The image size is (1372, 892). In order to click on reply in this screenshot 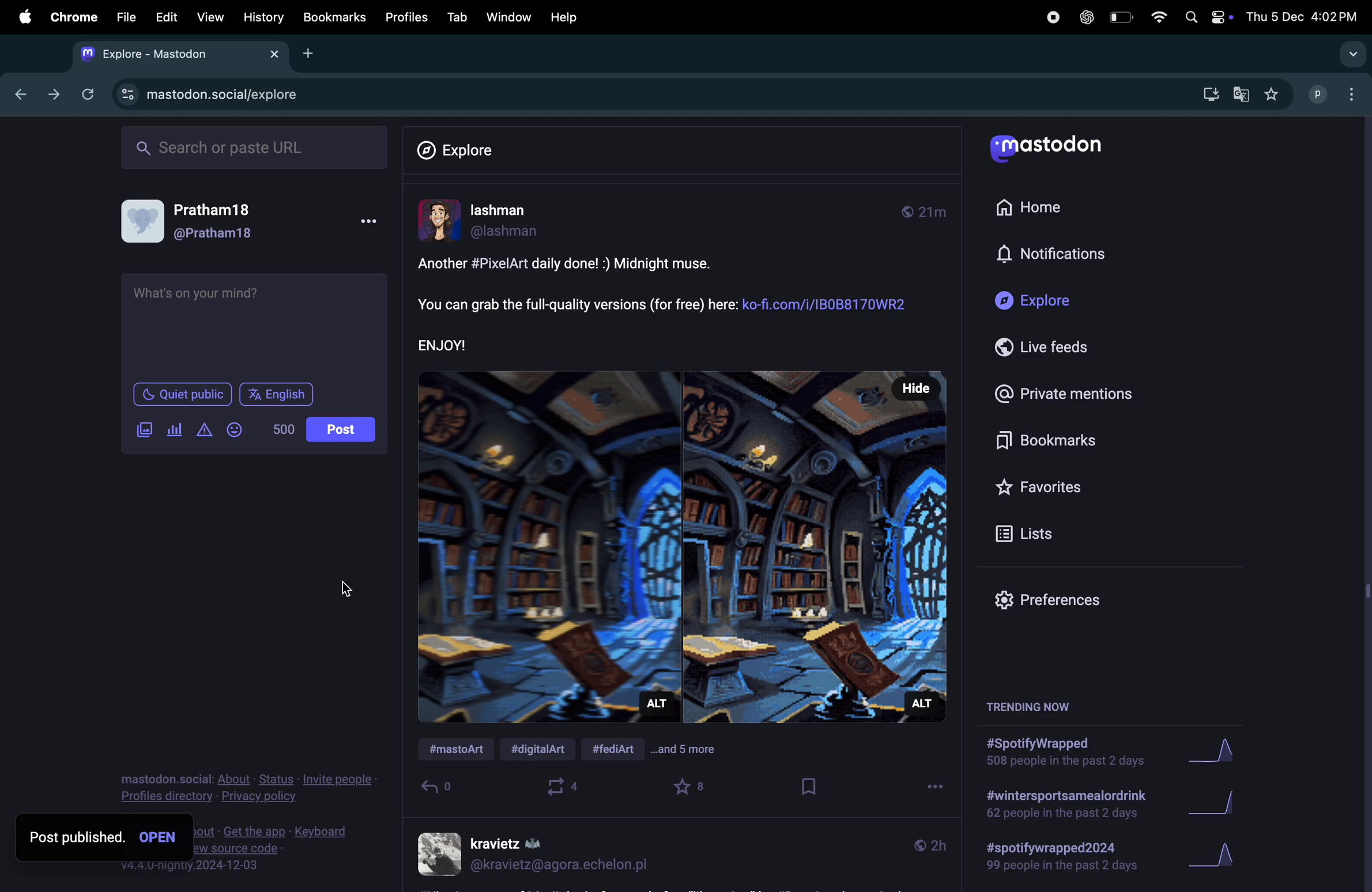, I will do `click(439, 789)`.